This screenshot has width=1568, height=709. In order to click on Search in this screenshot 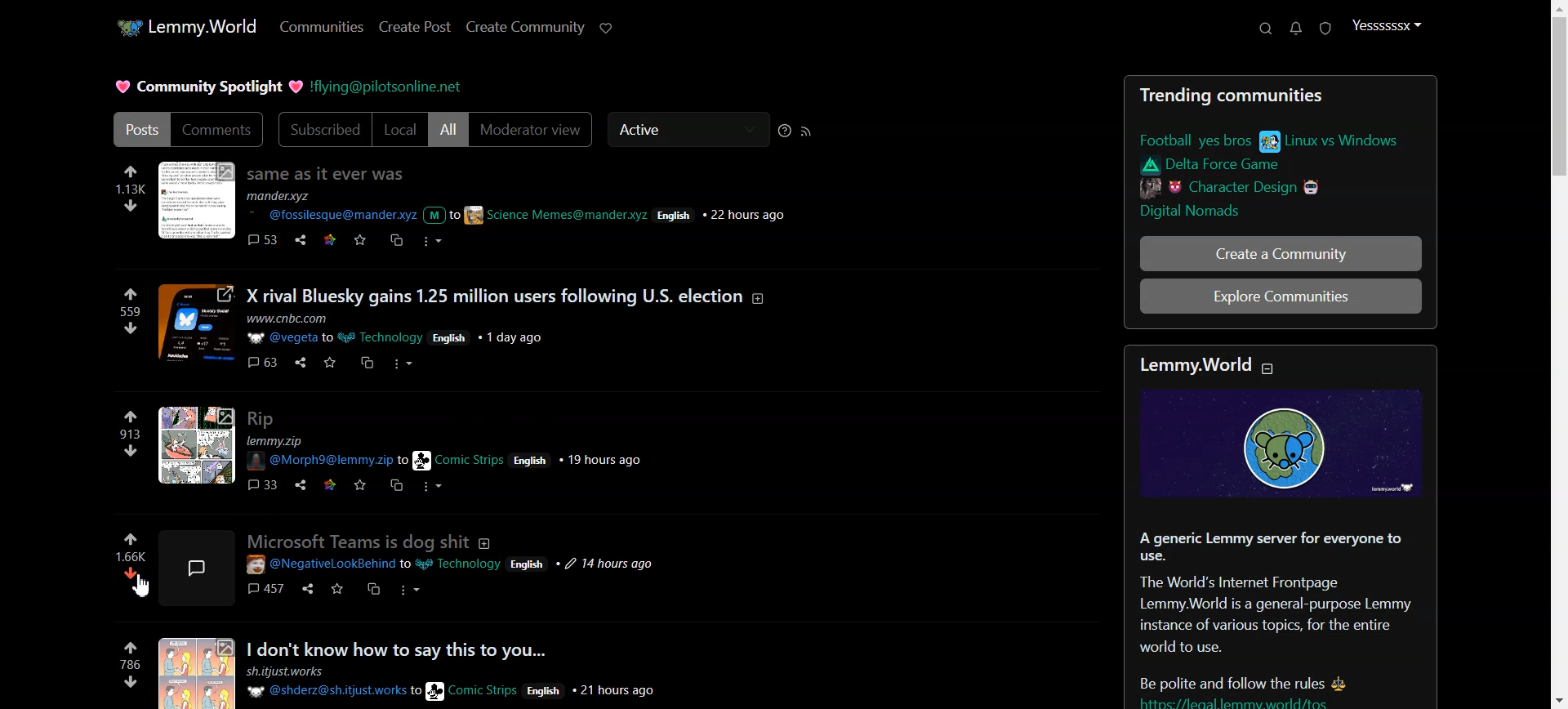, I will do `click(1266, 28)`.